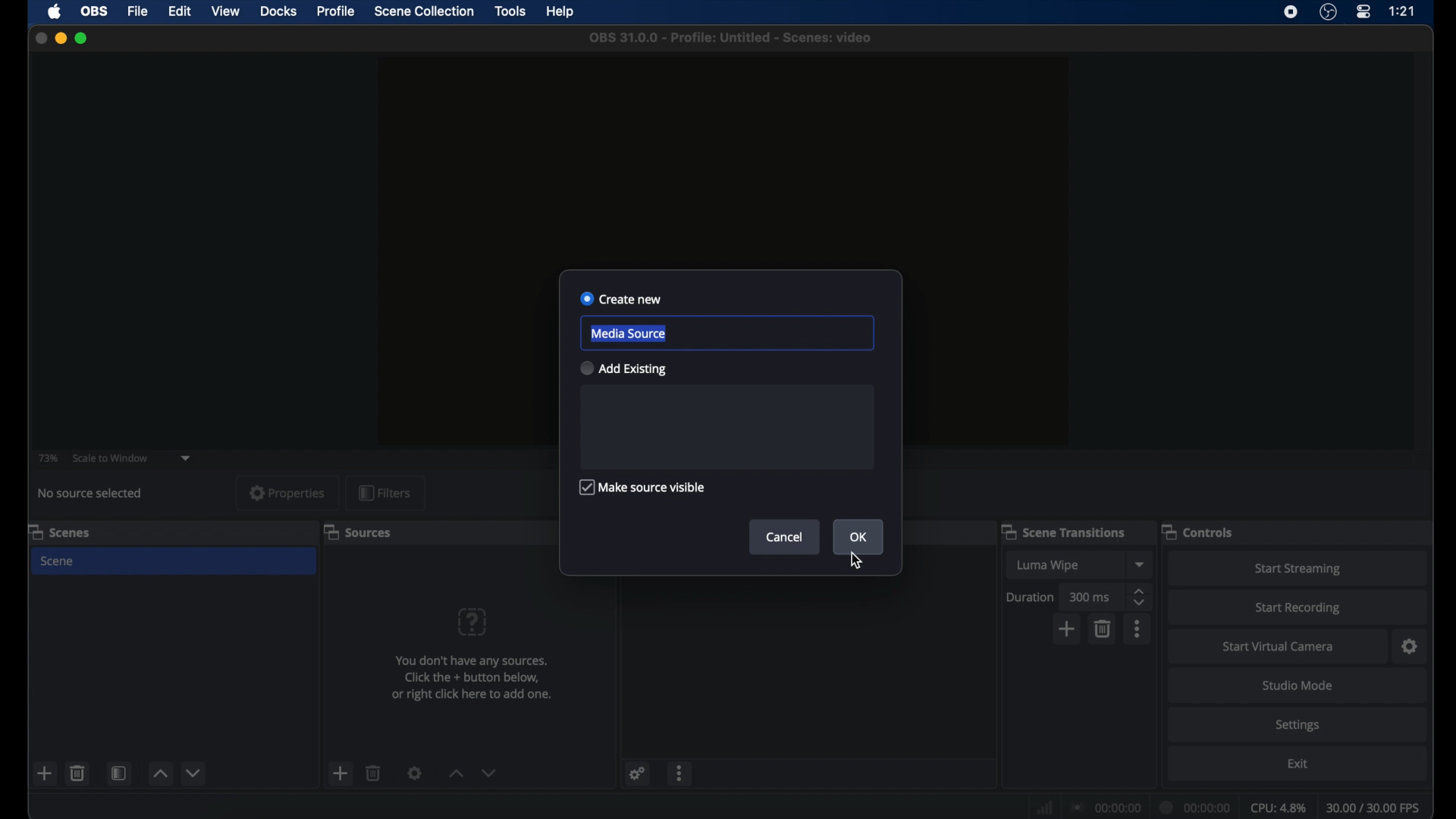 This screenshot has height=819, width=1456. Describe the element at coordinates (1295, 686) in the screenshot. I see `studio mode` at that location.